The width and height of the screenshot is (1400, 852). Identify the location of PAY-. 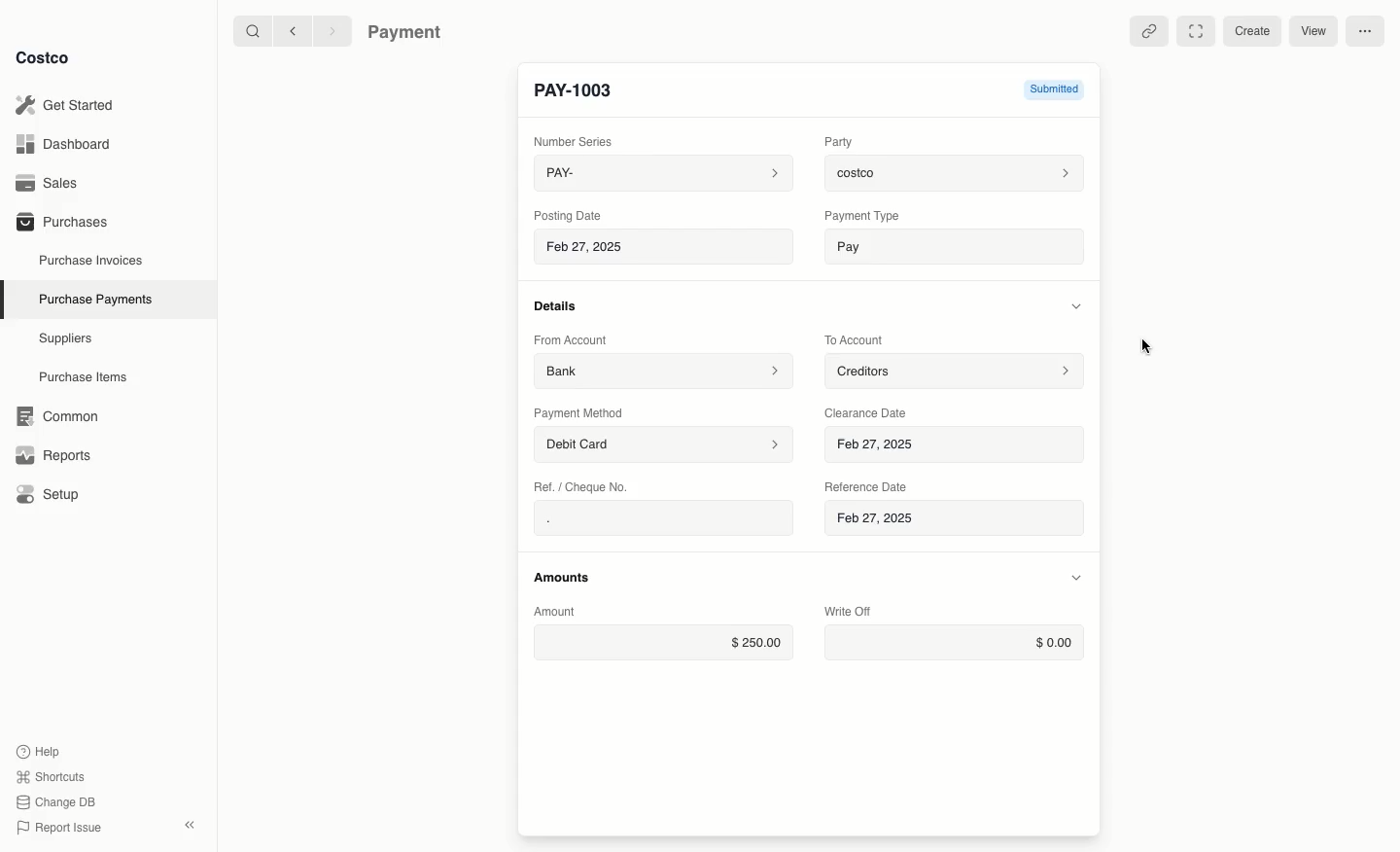
(663, 172).